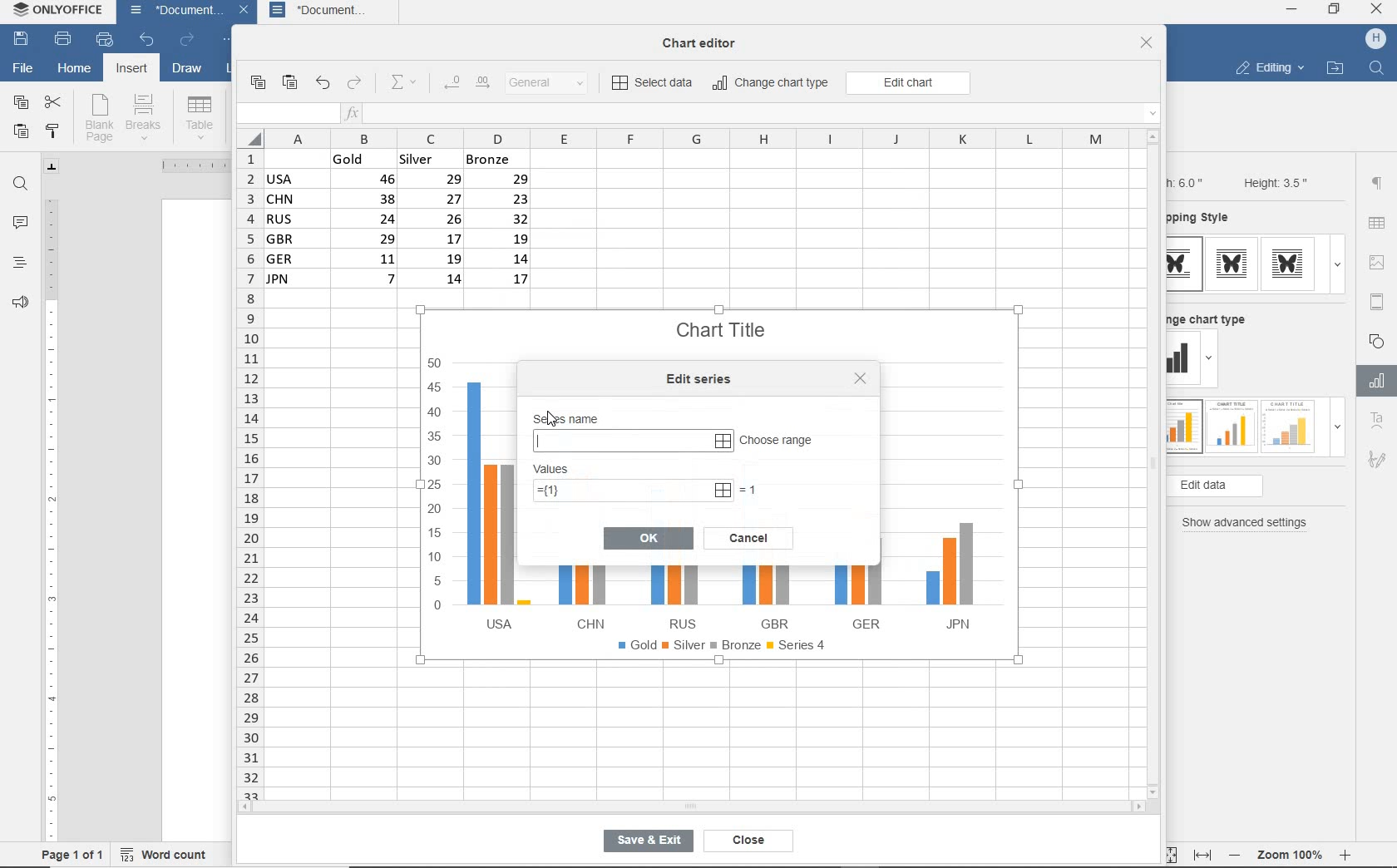  What do you see at coordinates (860, 378) in the screenshot?
I see `lose` at bounding box center [860, 378].